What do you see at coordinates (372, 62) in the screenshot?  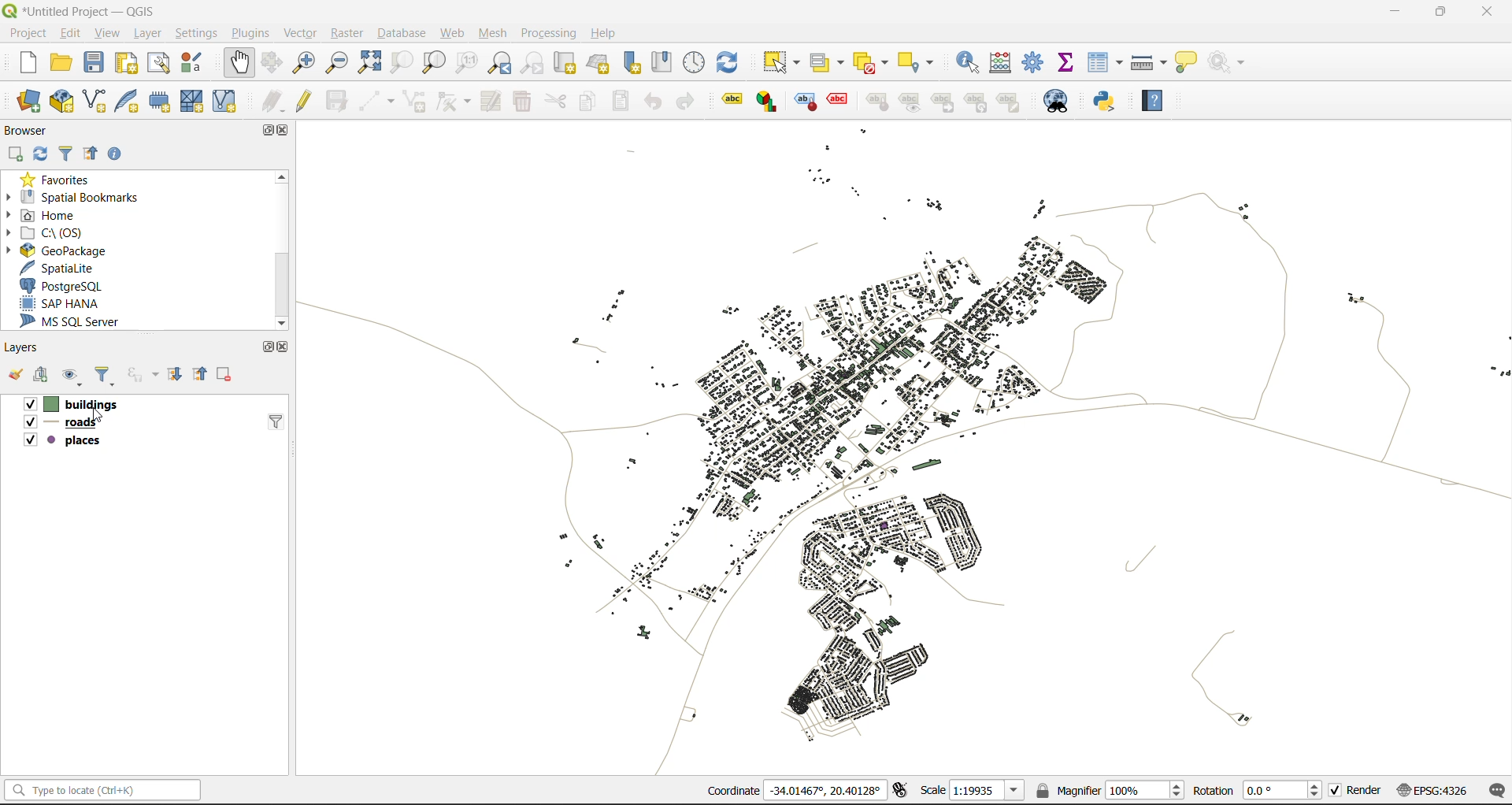 I see `zoom full` at bounding box center [372, 62].